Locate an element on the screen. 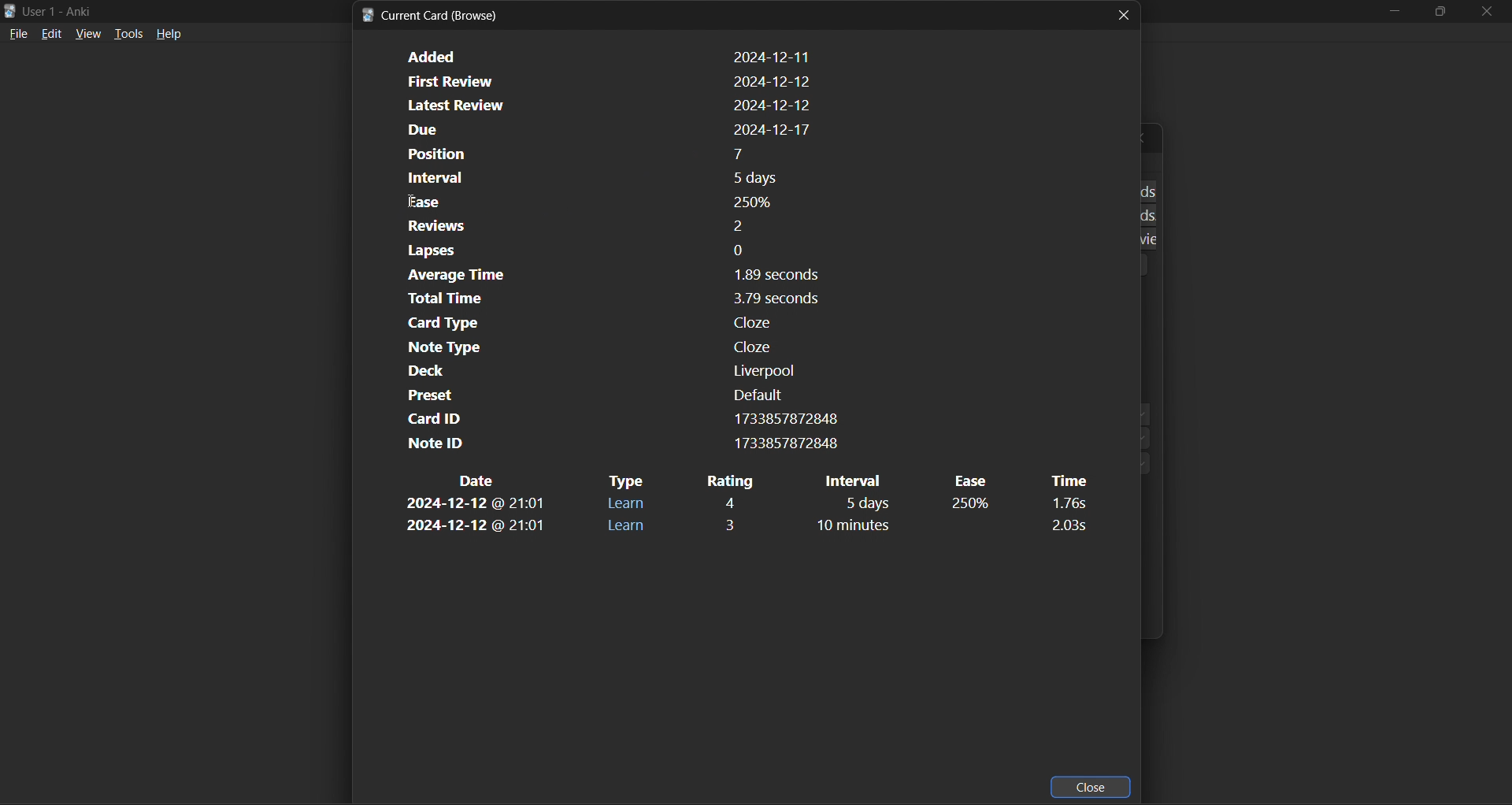 This screenshot has width=1512, height=805. close is located at coordinates (1092, 786).